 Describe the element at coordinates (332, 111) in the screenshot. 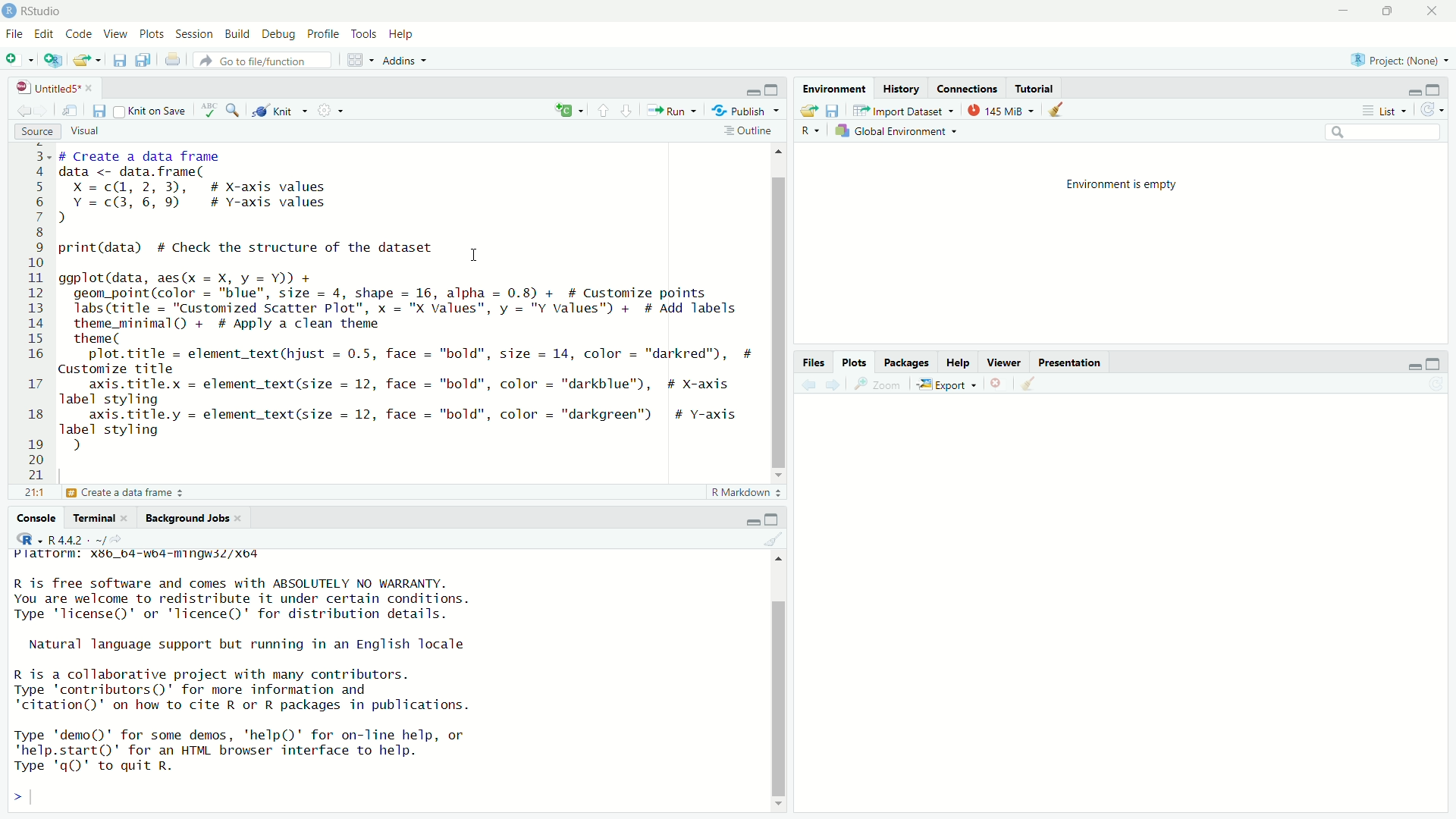

I see `Settings` at that location.